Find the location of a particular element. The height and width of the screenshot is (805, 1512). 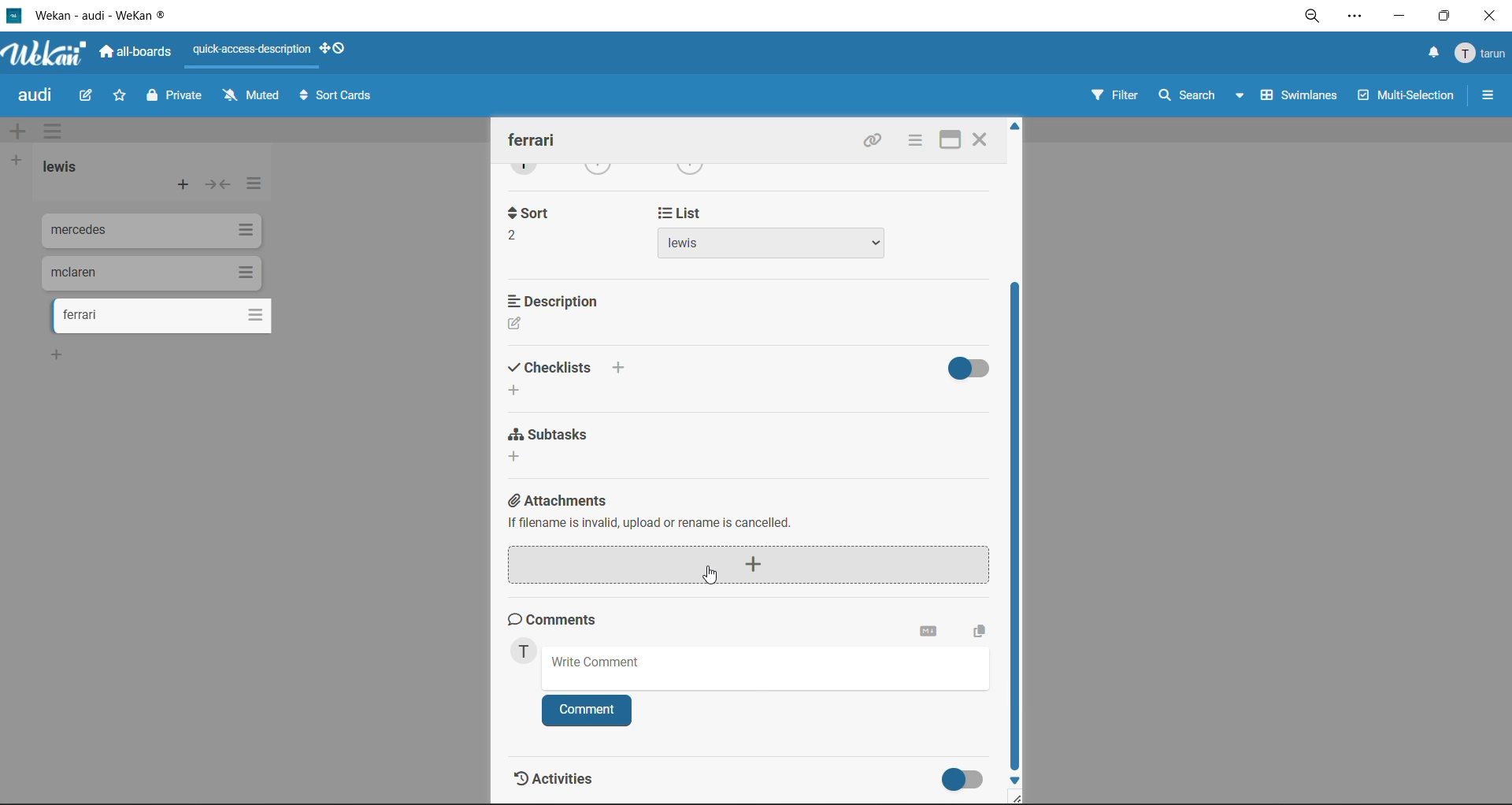

settings is located at coordinates (1357, 19).